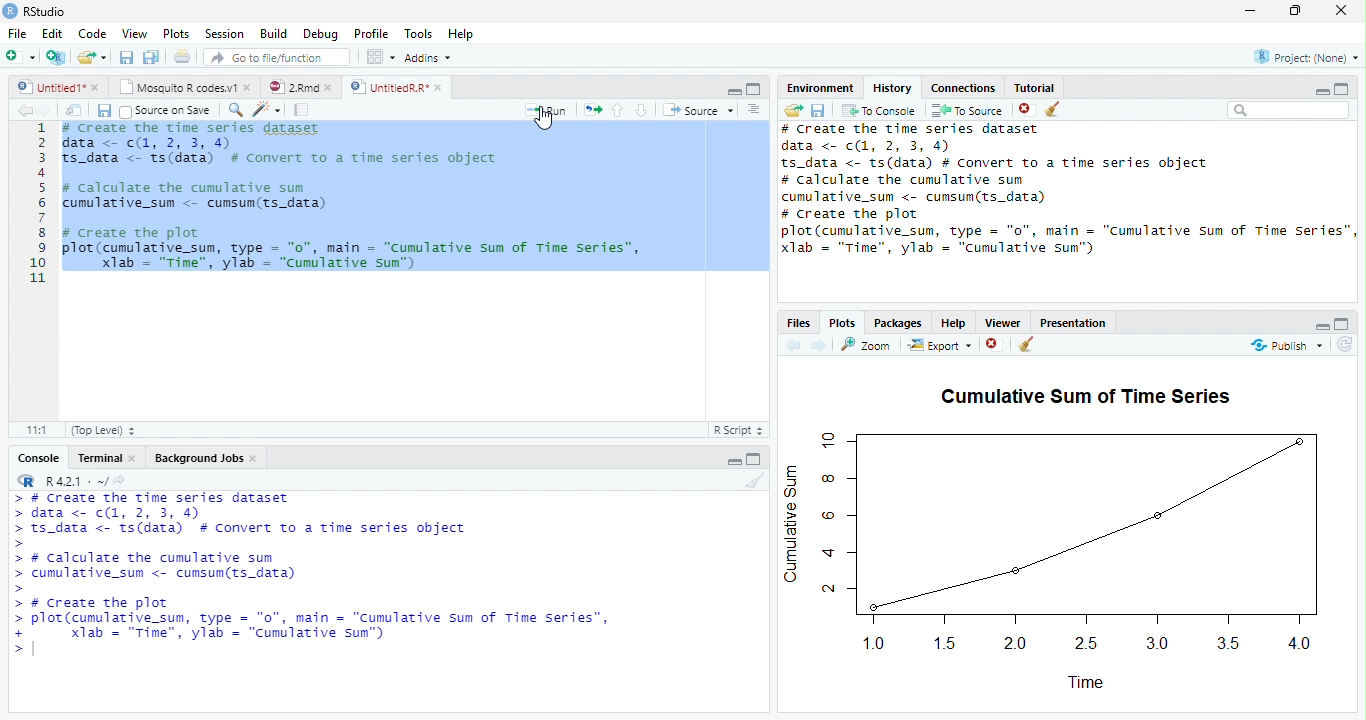 The height and width of the screenshot is (720, 1366). Describe the element at coordinates (879, 113) in the screenshot. I see `To Console` at that location.